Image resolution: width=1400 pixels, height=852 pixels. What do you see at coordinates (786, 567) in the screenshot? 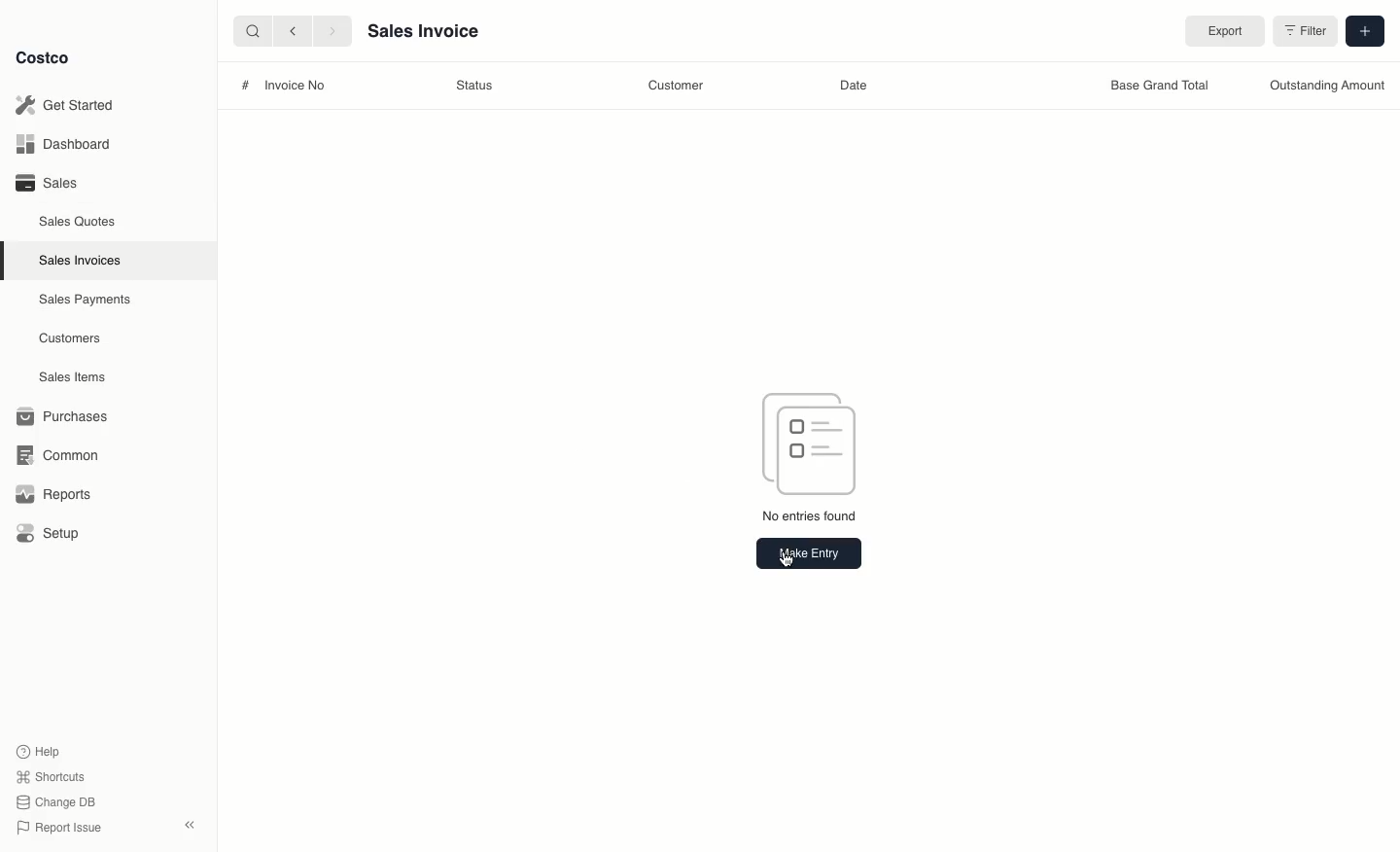
I see `cursor` at bounding box center [786, 567].